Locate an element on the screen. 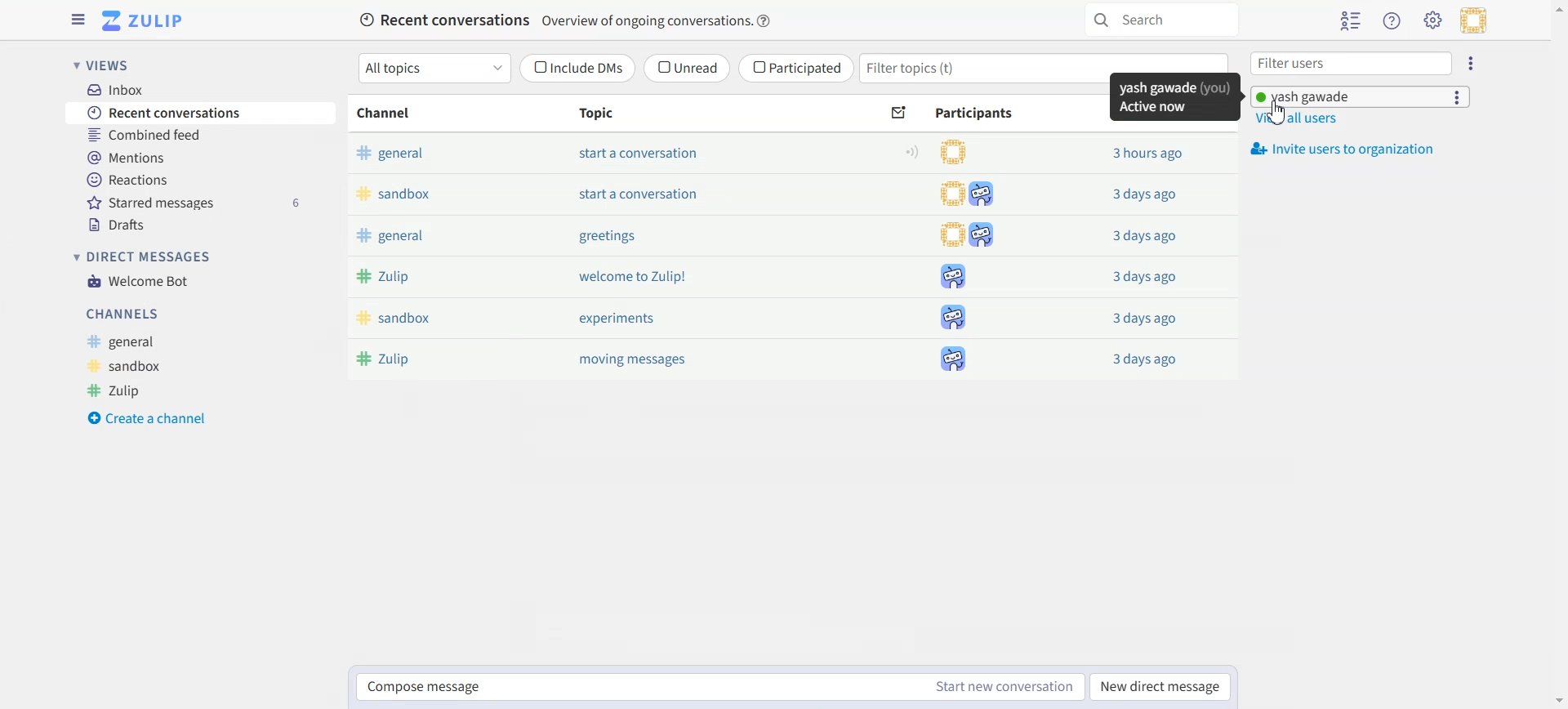 The image size is (1568, 709). 3 days ago is located at coordinates (1147, 279).